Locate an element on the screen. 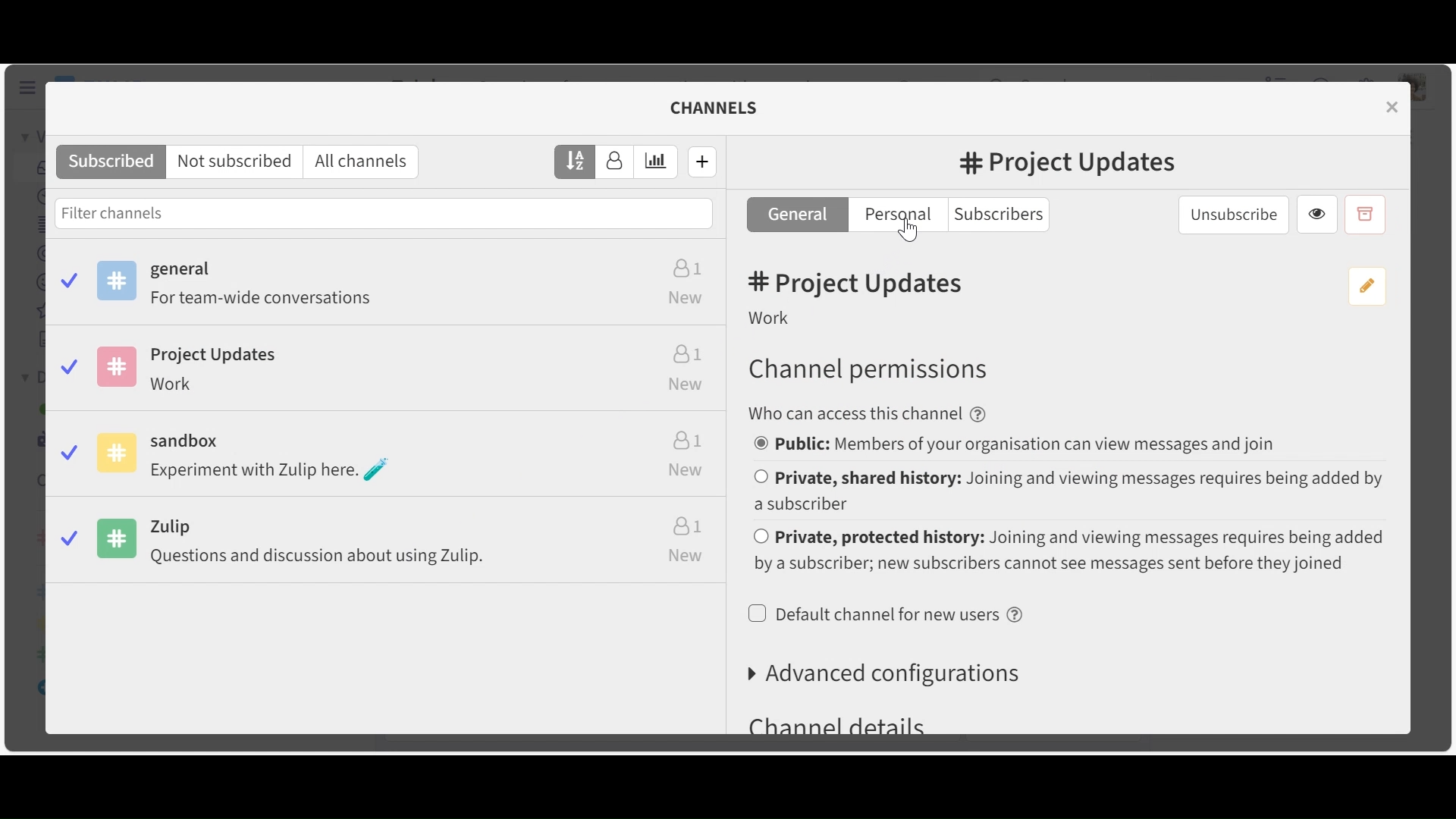  Description is located at coordinates (773, 321).